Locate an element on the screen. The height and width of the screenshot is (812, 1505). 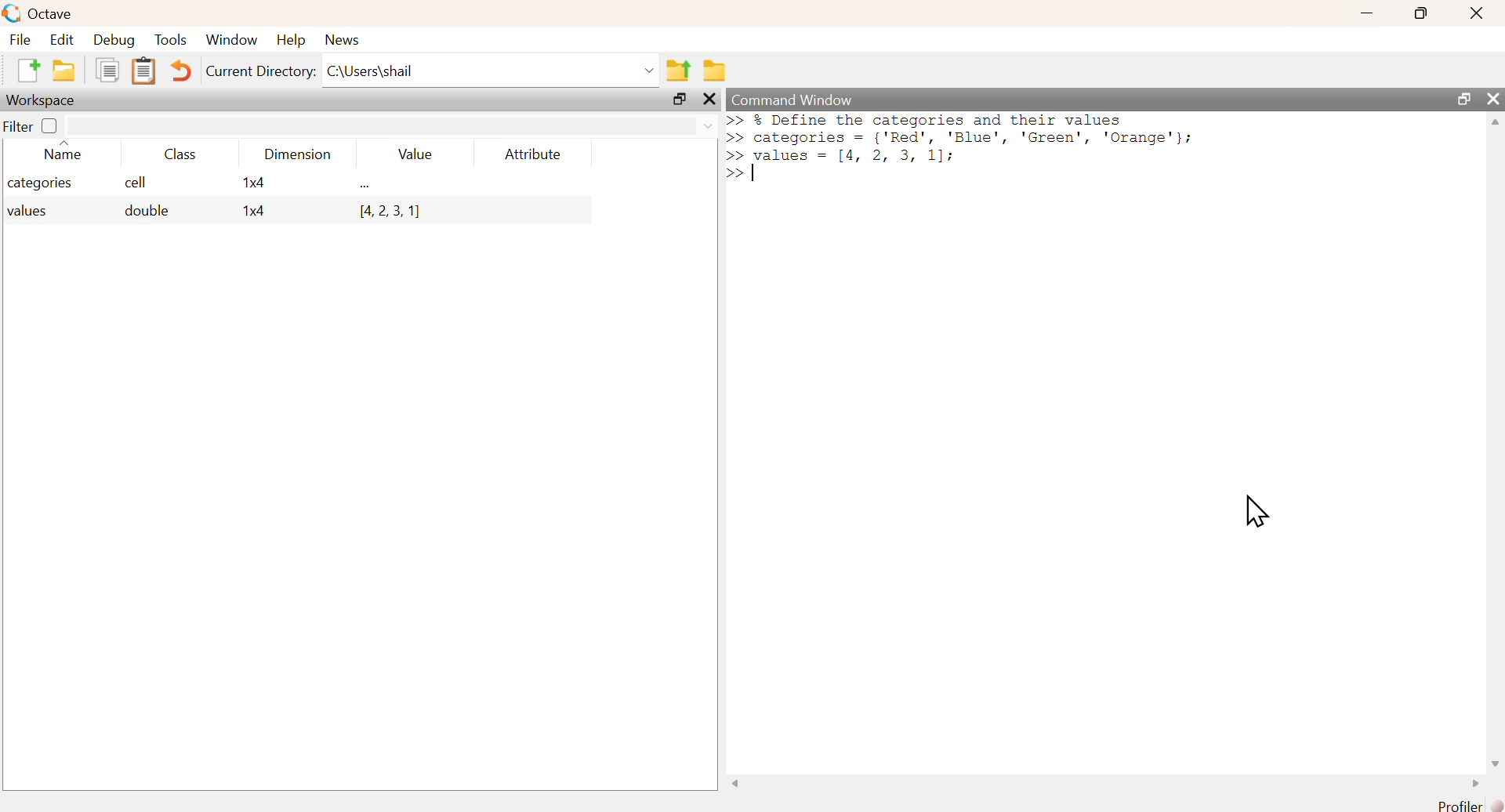
Folder is located at coordinates (713, 71).